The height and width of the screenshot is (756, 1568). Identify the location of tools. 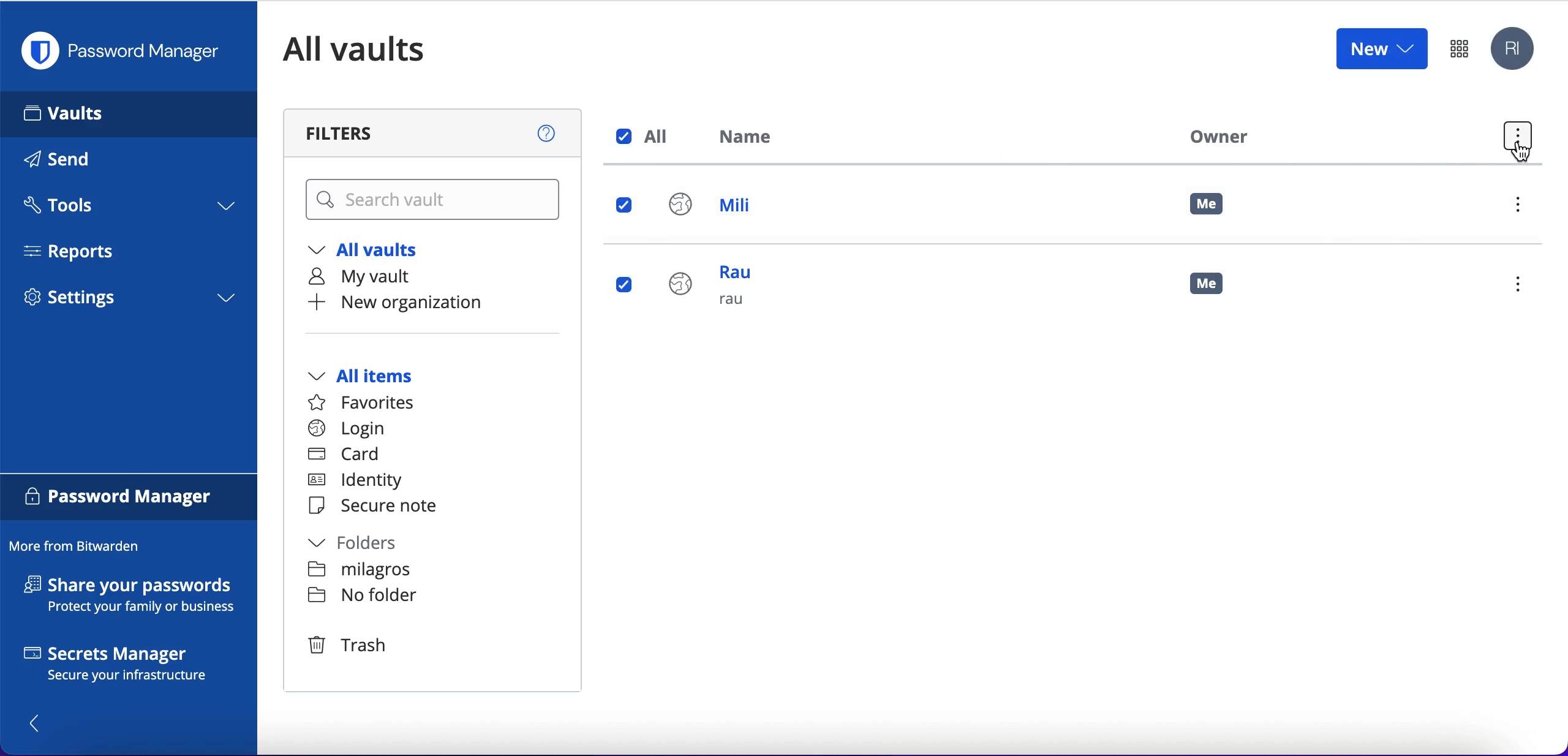
(127, 209).